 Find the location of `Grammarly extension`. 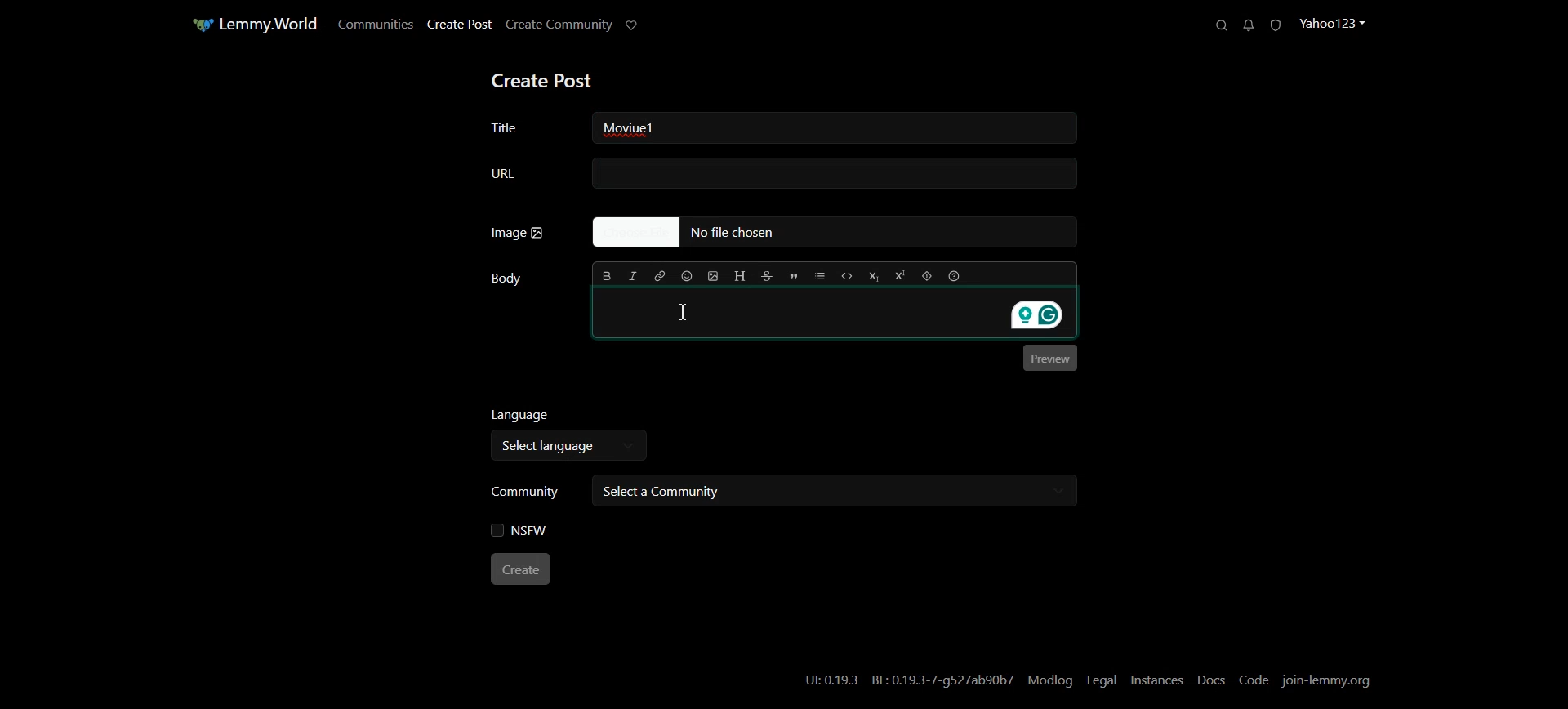

Grammarly extension is located at coordinates (1043, 316).